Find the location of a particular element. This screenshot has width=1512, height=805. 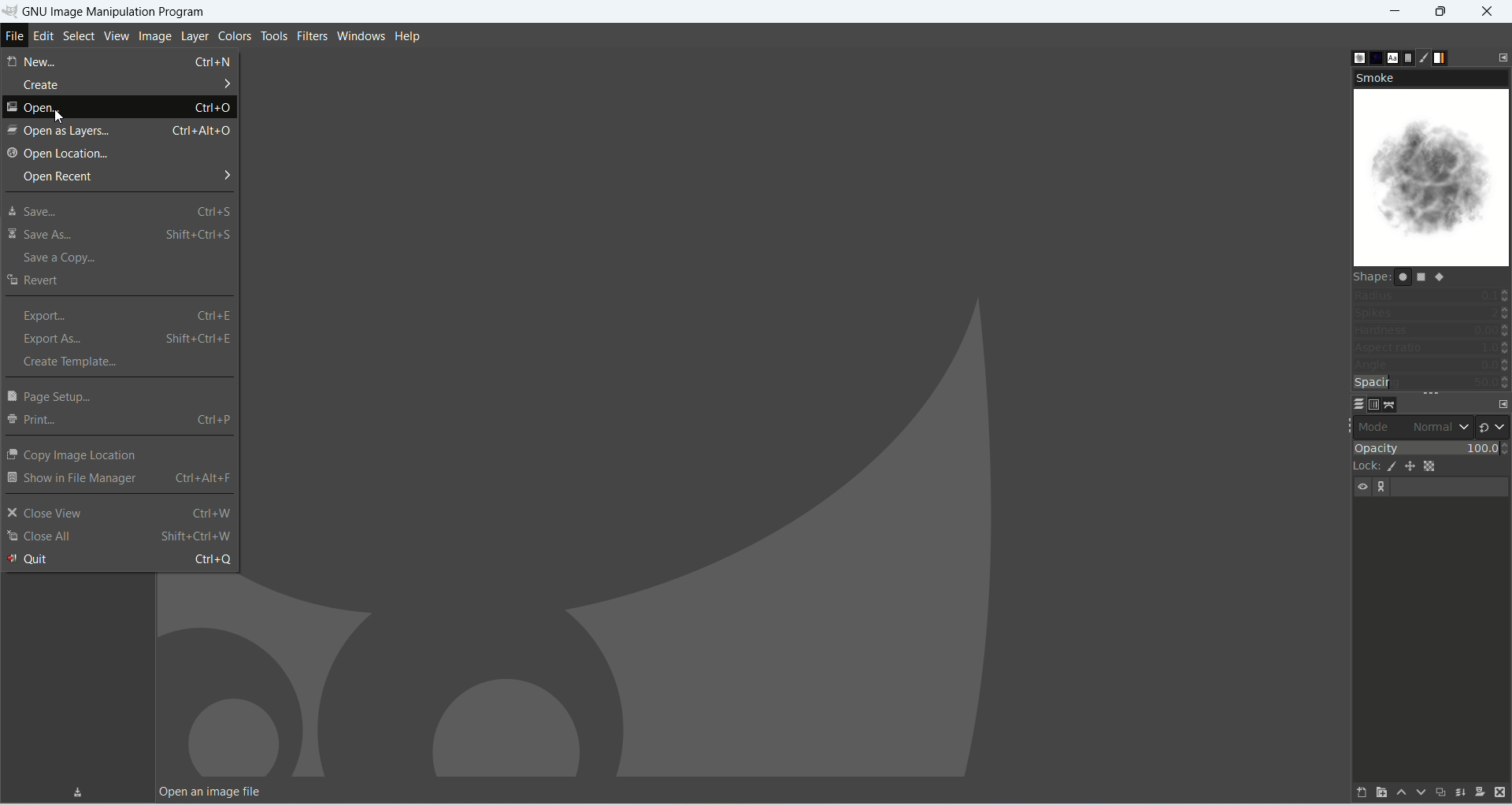

Windows is located at coordinates (361, 33).